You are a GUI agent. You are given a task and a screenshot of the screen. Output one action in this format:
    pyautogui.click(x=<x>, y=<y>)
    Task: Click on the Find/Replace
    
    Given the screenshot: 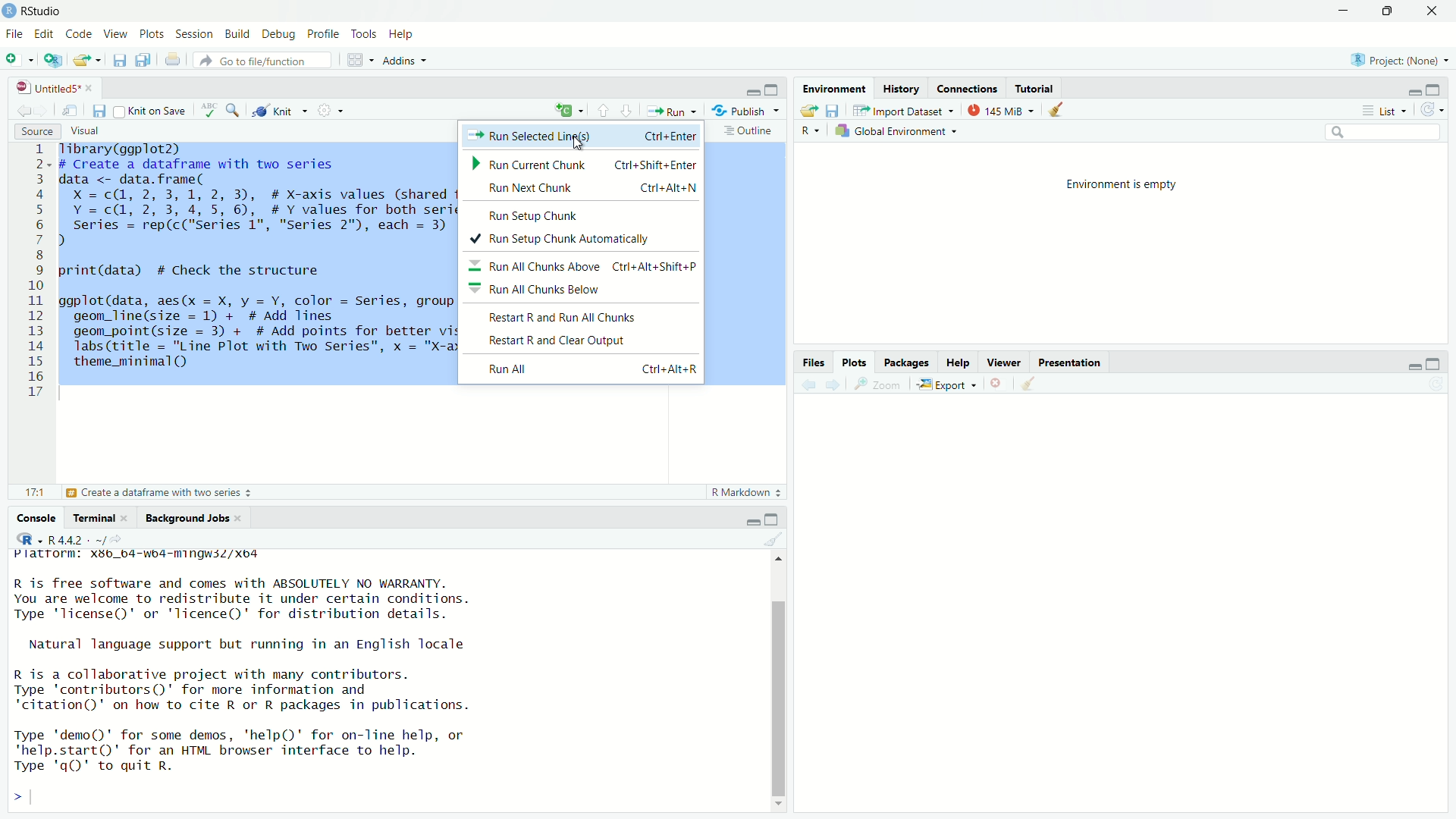 What is the action you would take?
    pyautogui.click(x=233, y=111)
    